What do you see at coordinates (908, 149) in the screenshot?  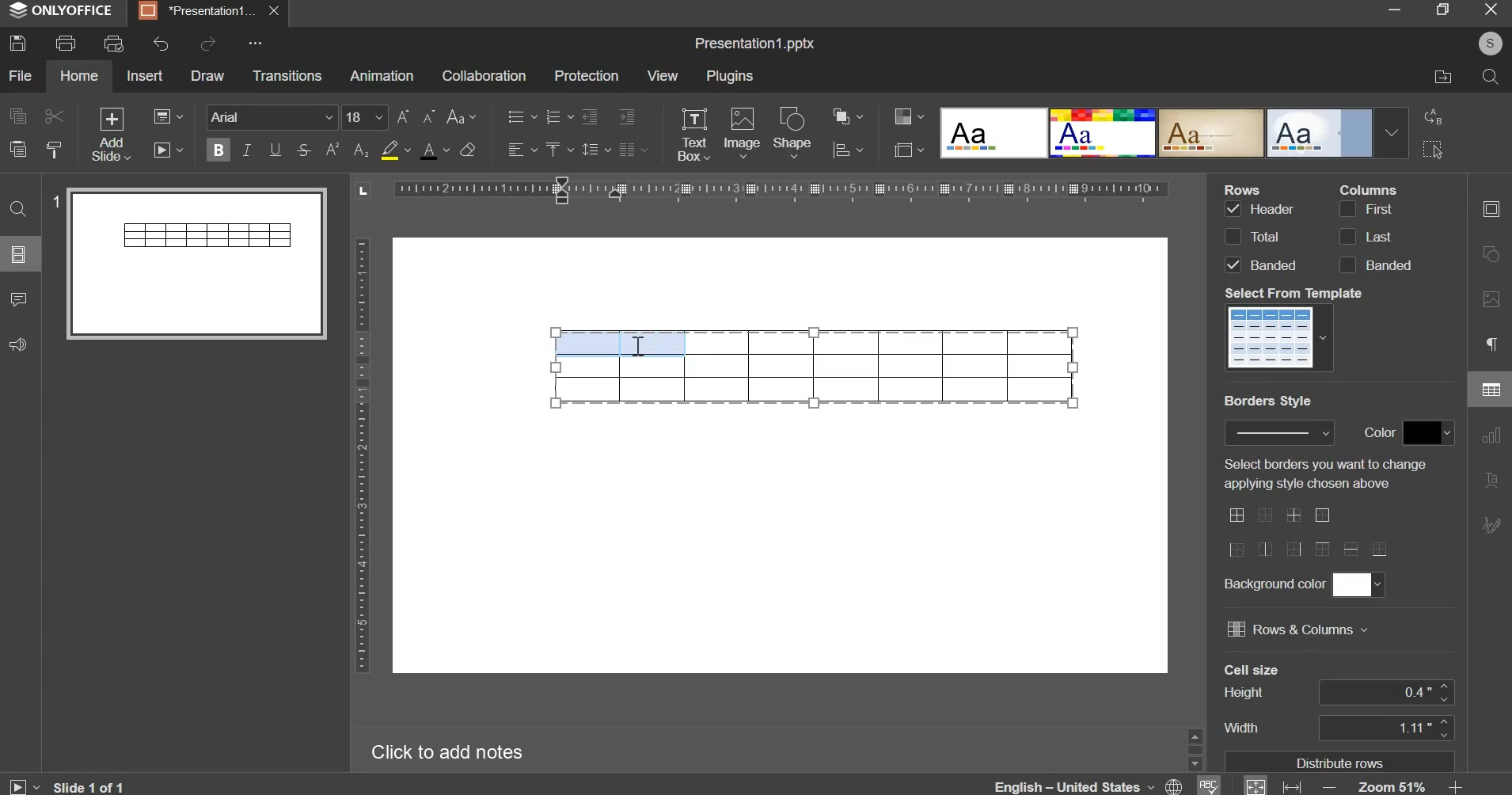 I see `slide size` at bounding box center [908, 149].